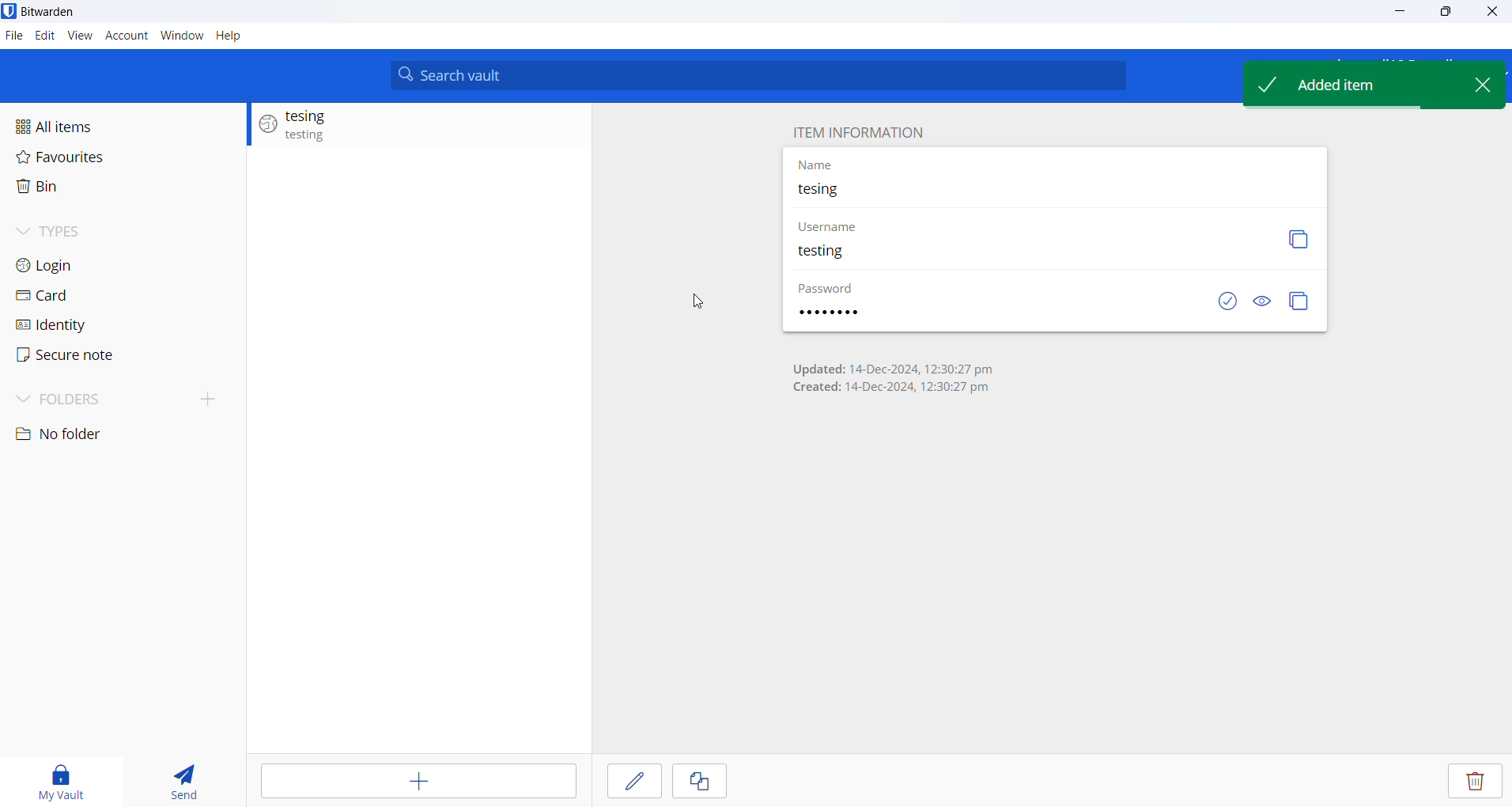 This screenshot has width=1512, height=807. What do you see at coordinates (55, 12) in the screenshot?
I see `application name` at bounding box center [55, 12].